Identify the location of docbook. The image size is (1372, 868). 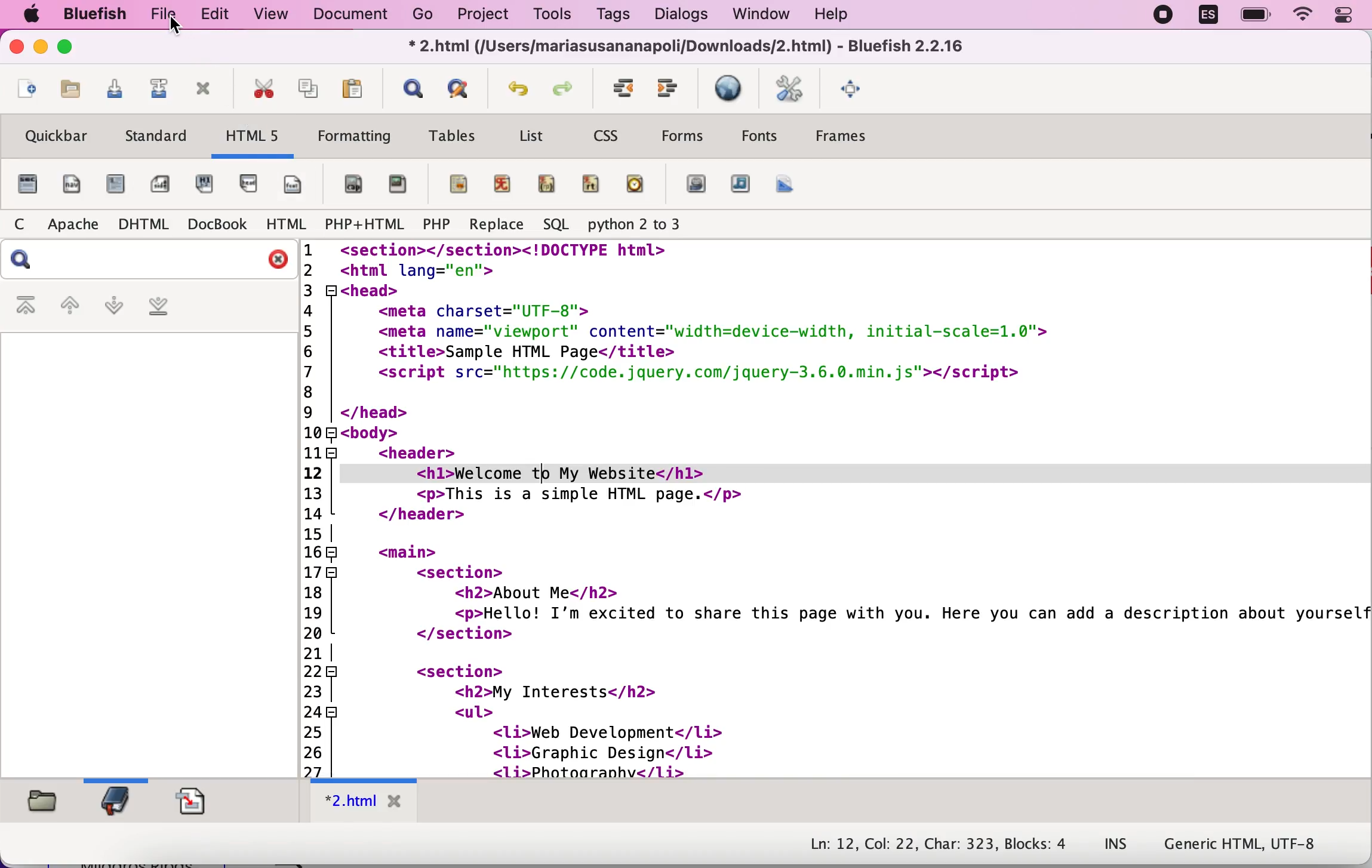
(215, 223).